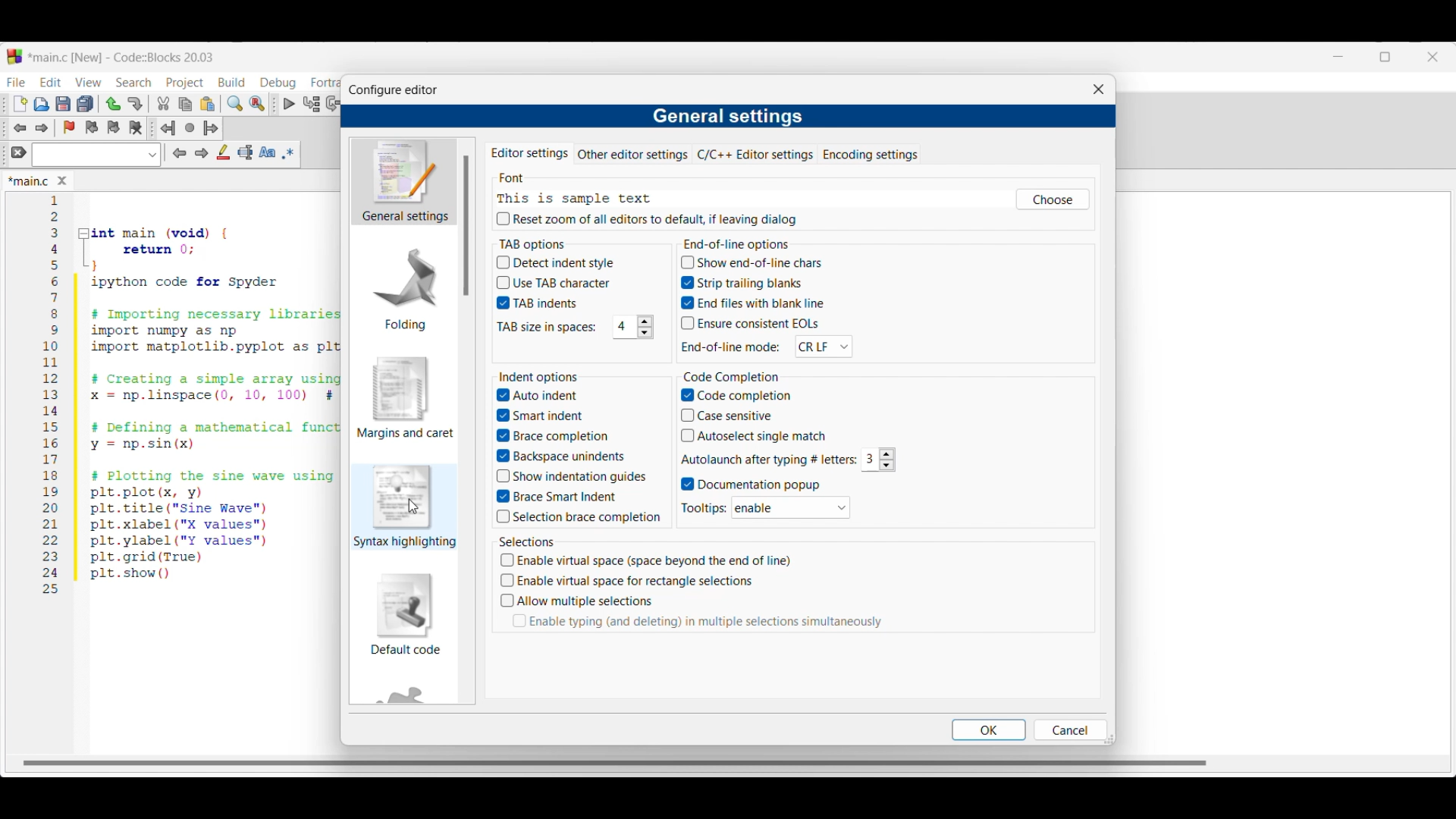  Describe the element at coordinates (1385, 57) in the screenshot. I see `Change tab dimension` at that location.